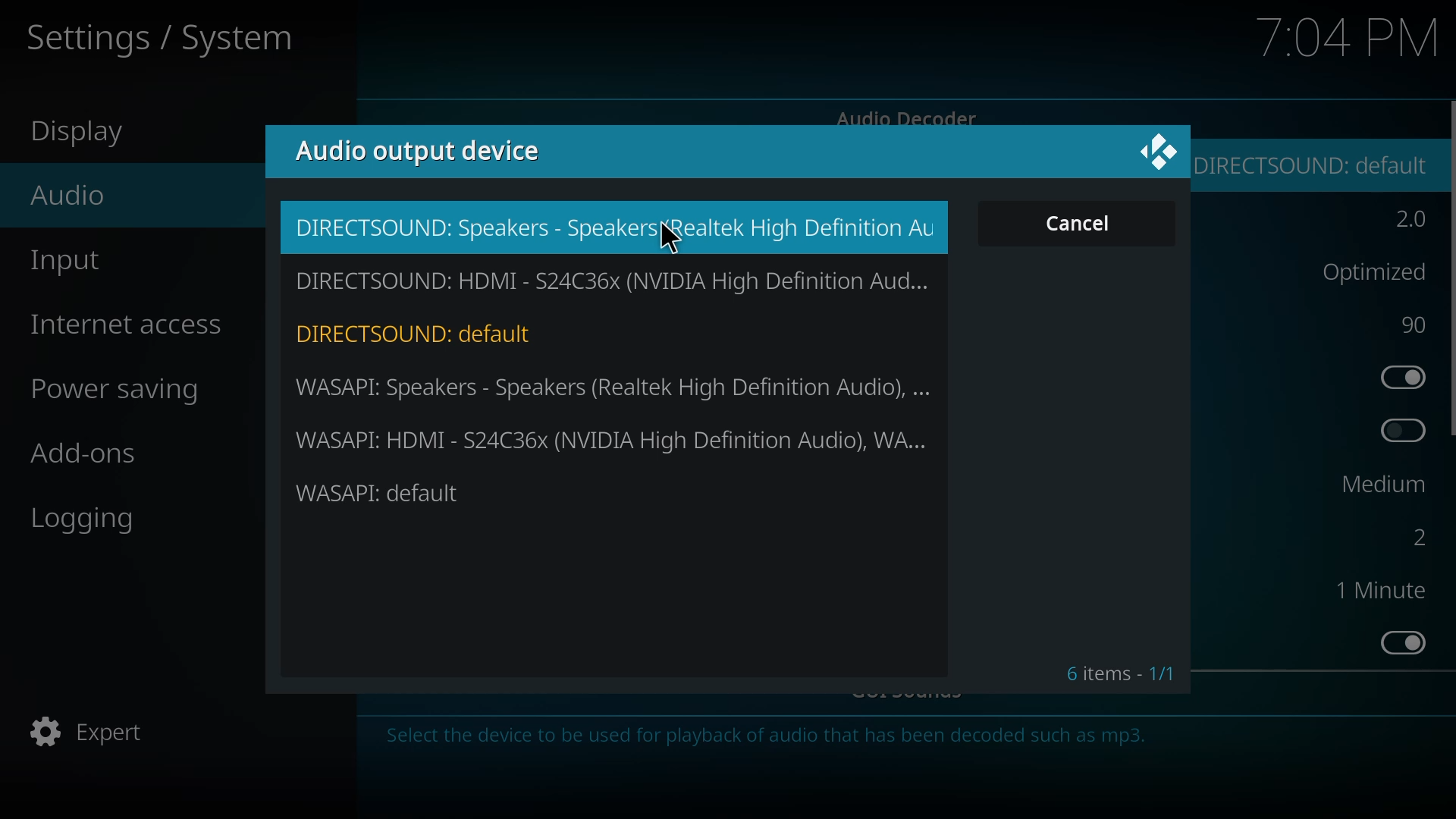  I want to click on 6 items, so click(1120, 673).